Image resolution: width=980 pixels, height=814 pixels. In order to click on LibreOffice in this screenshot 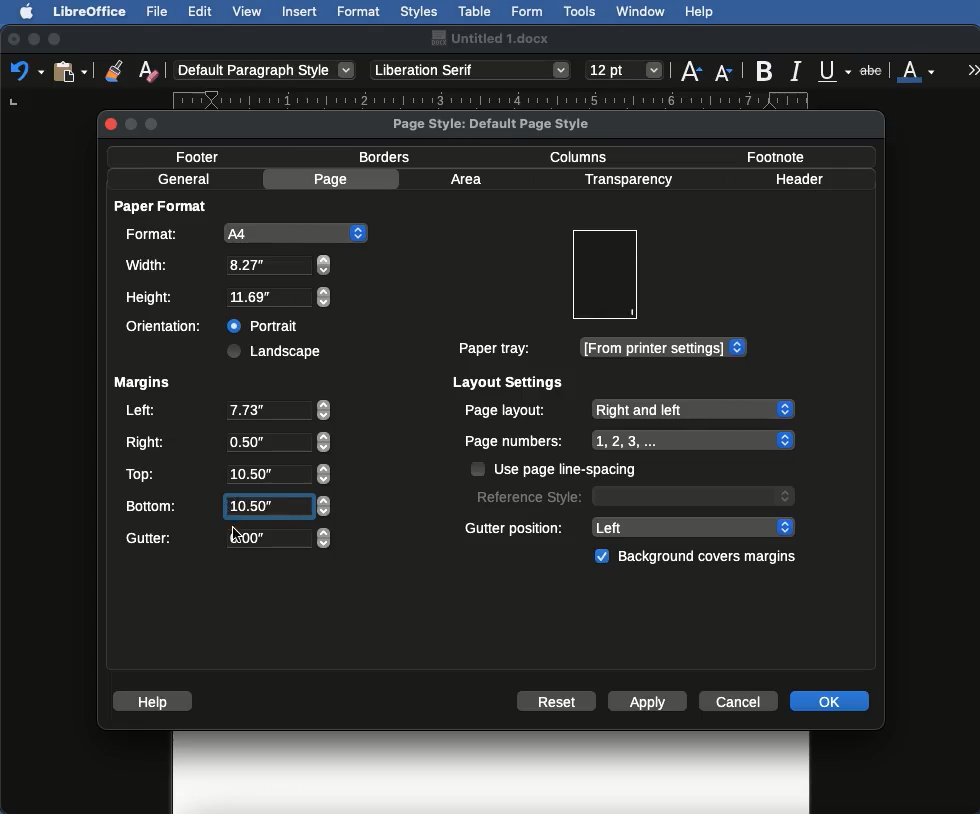, I will do `click(89, 11)`.